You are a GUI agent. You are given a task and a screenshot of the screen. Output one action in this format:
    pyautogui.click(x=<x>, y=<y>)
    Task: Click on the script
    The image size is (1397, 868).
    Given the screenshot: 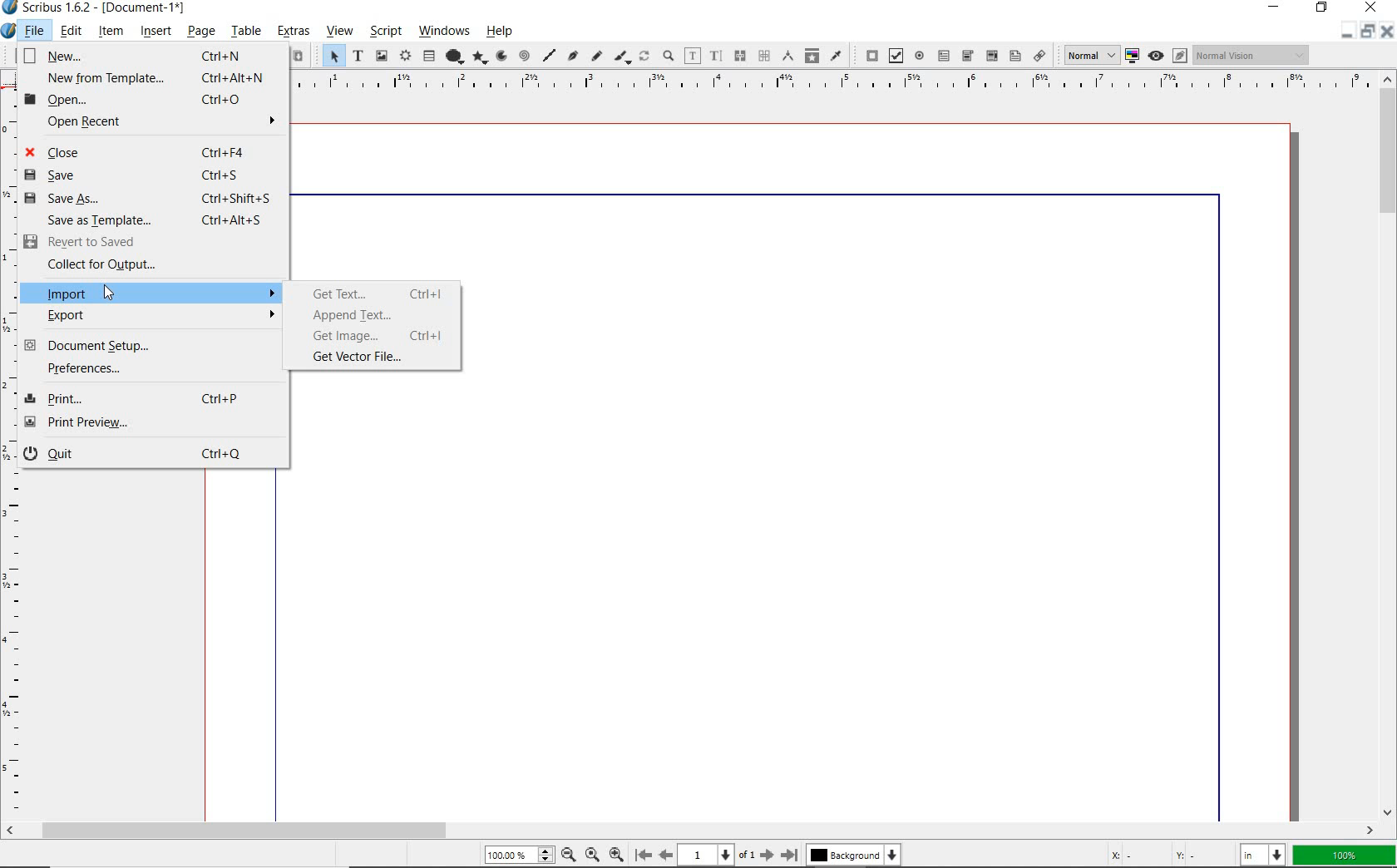 What is the action you would take?
    pyautogui.click(x=385, y=32)
    